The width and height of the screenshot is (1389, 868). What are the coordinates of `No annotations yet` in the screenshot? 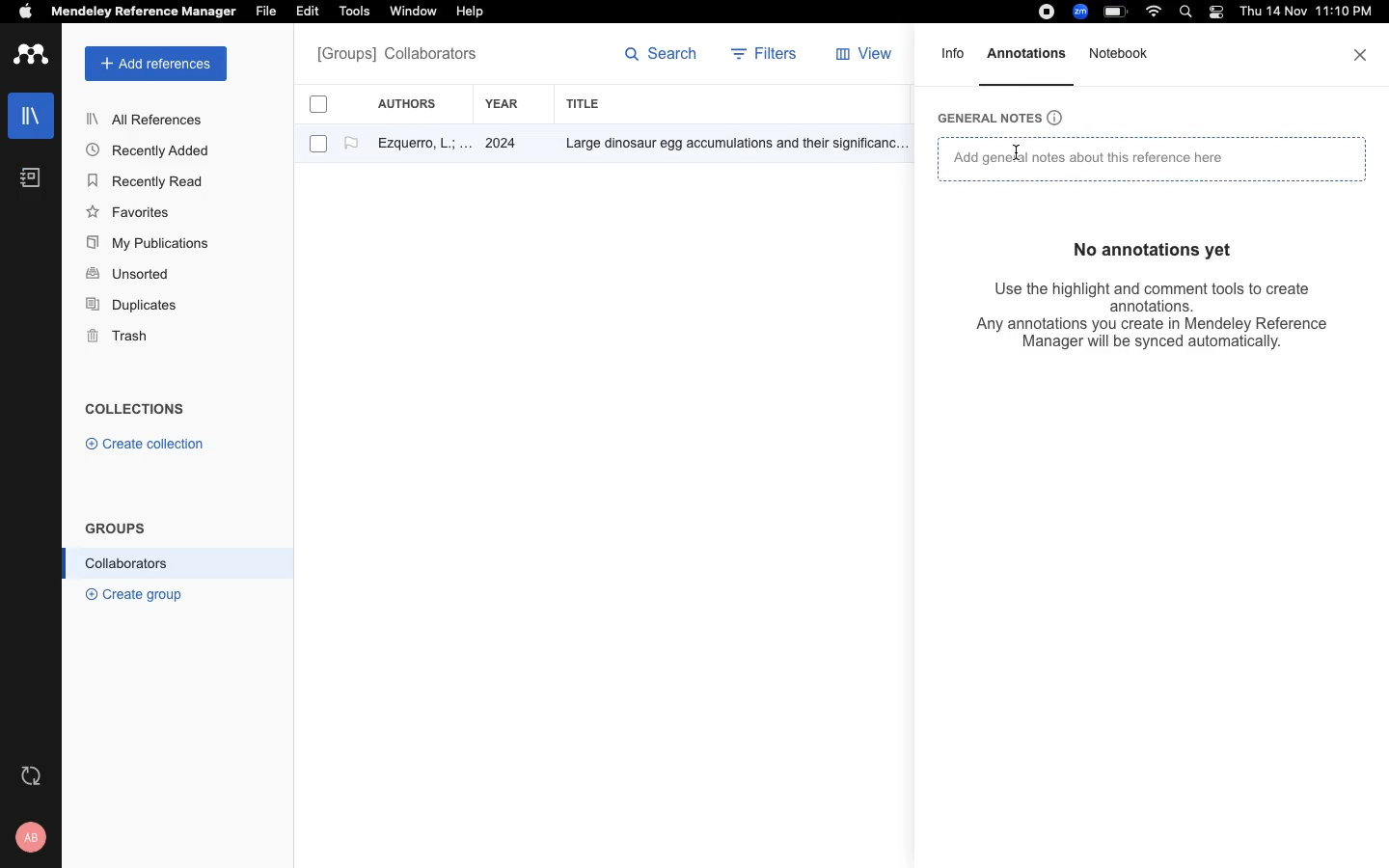 It's located at (1157, 247).